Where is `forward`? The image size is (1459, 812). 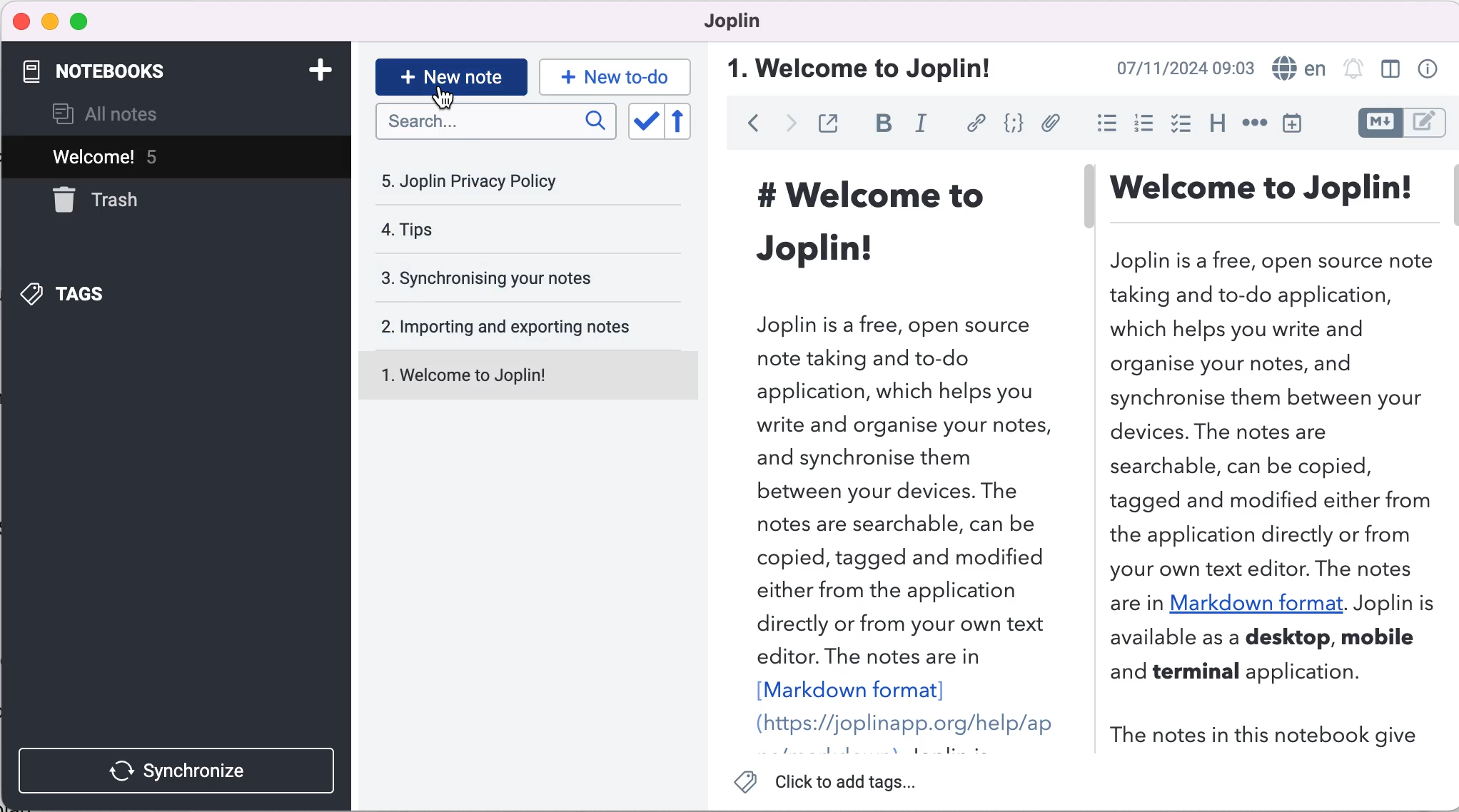 forward is located at coordinates (789, 123).